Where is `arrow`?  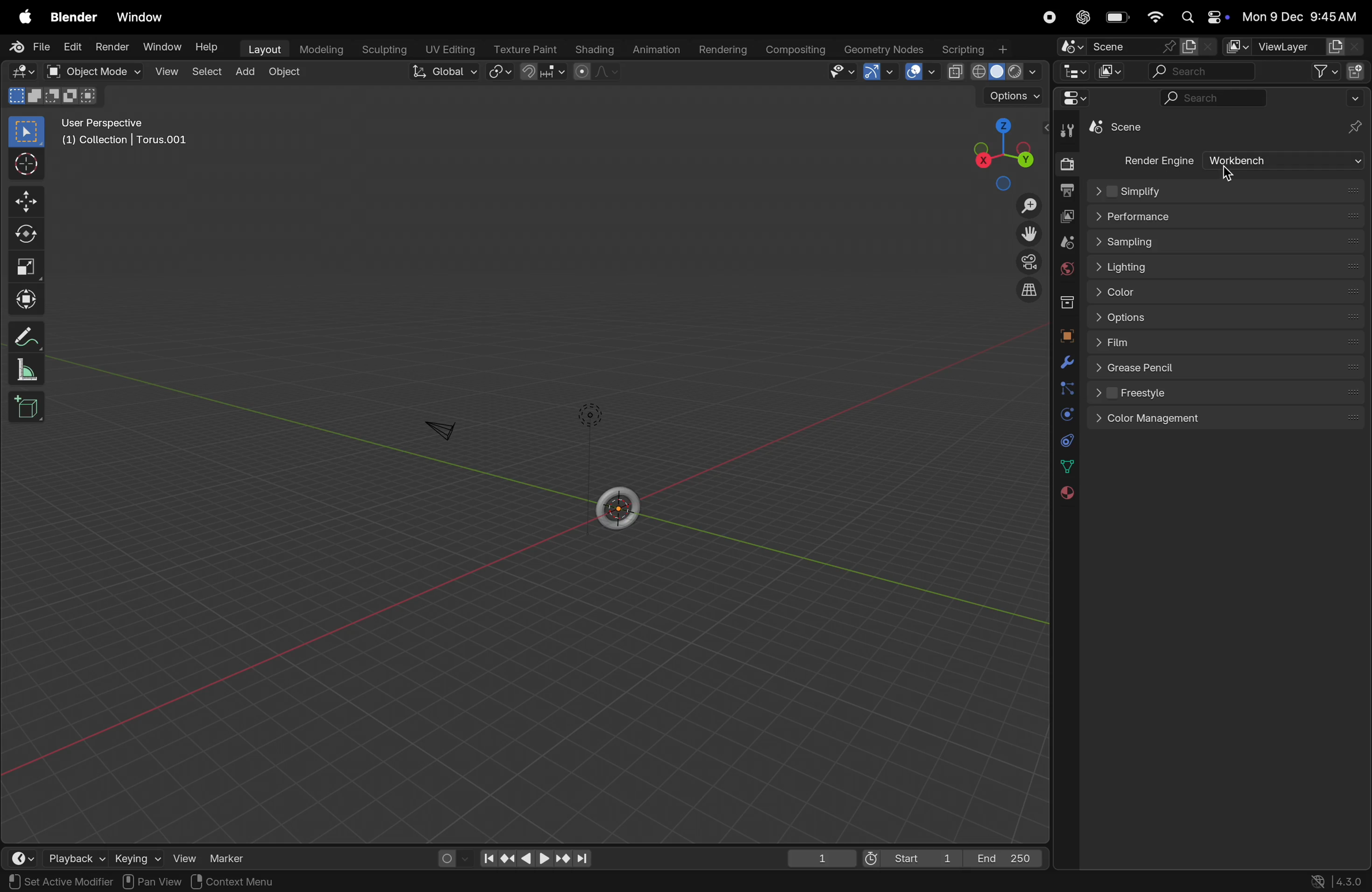
arrow is located at coordinates (880, 74).